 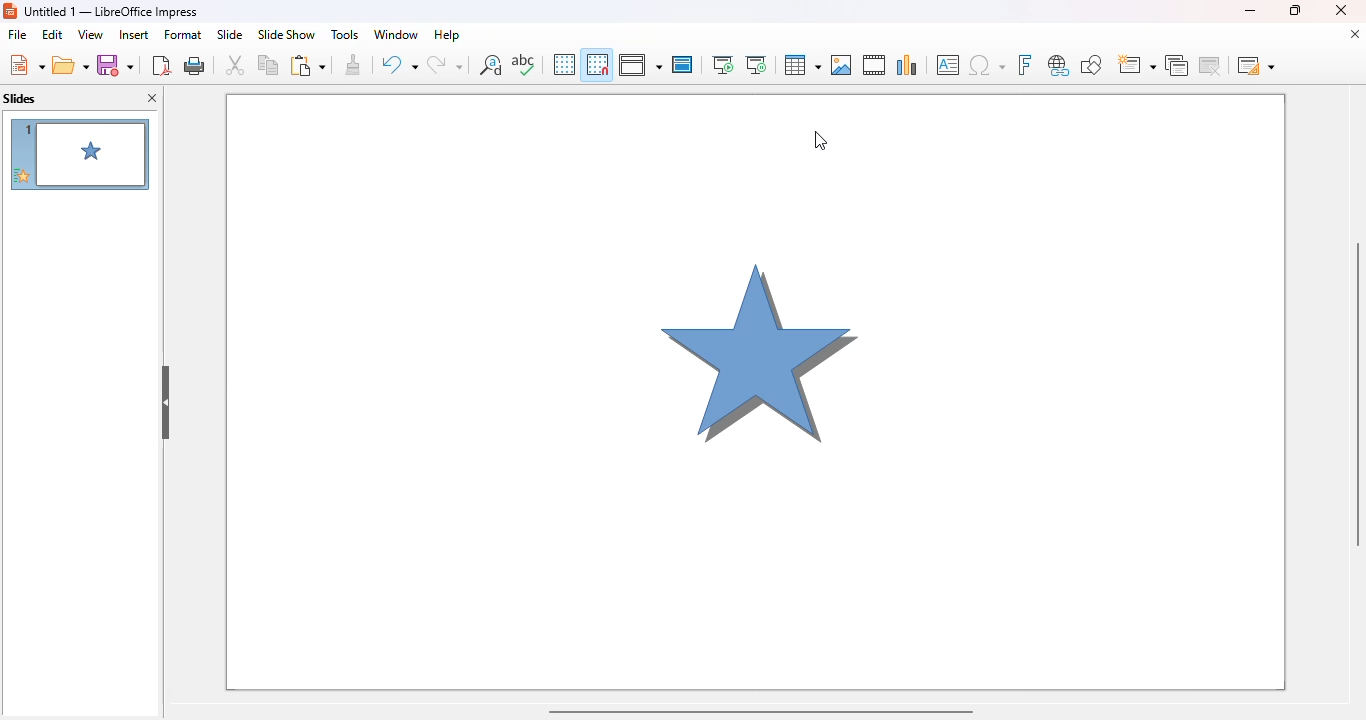 I want to click on find and replace, so click(x=491, y=64).